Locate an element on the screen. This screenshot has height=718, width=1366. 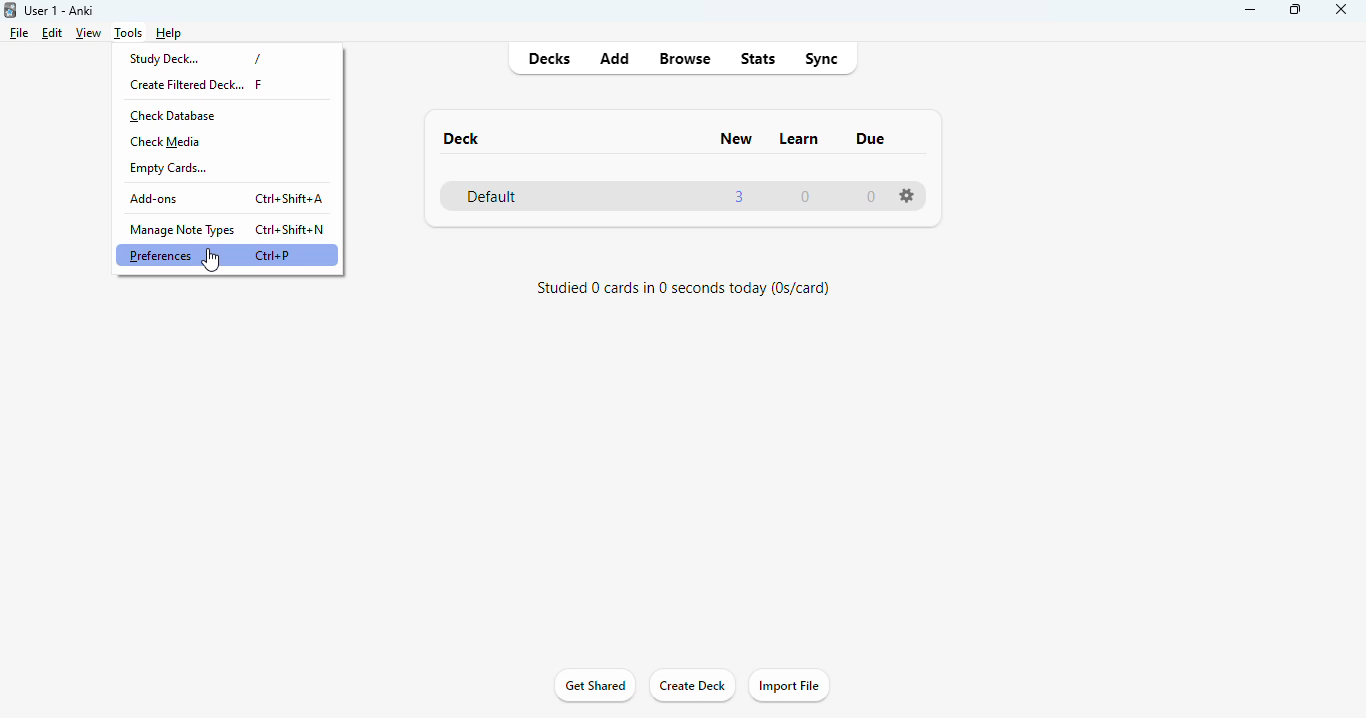
stats is located at coordinates (759, 59).